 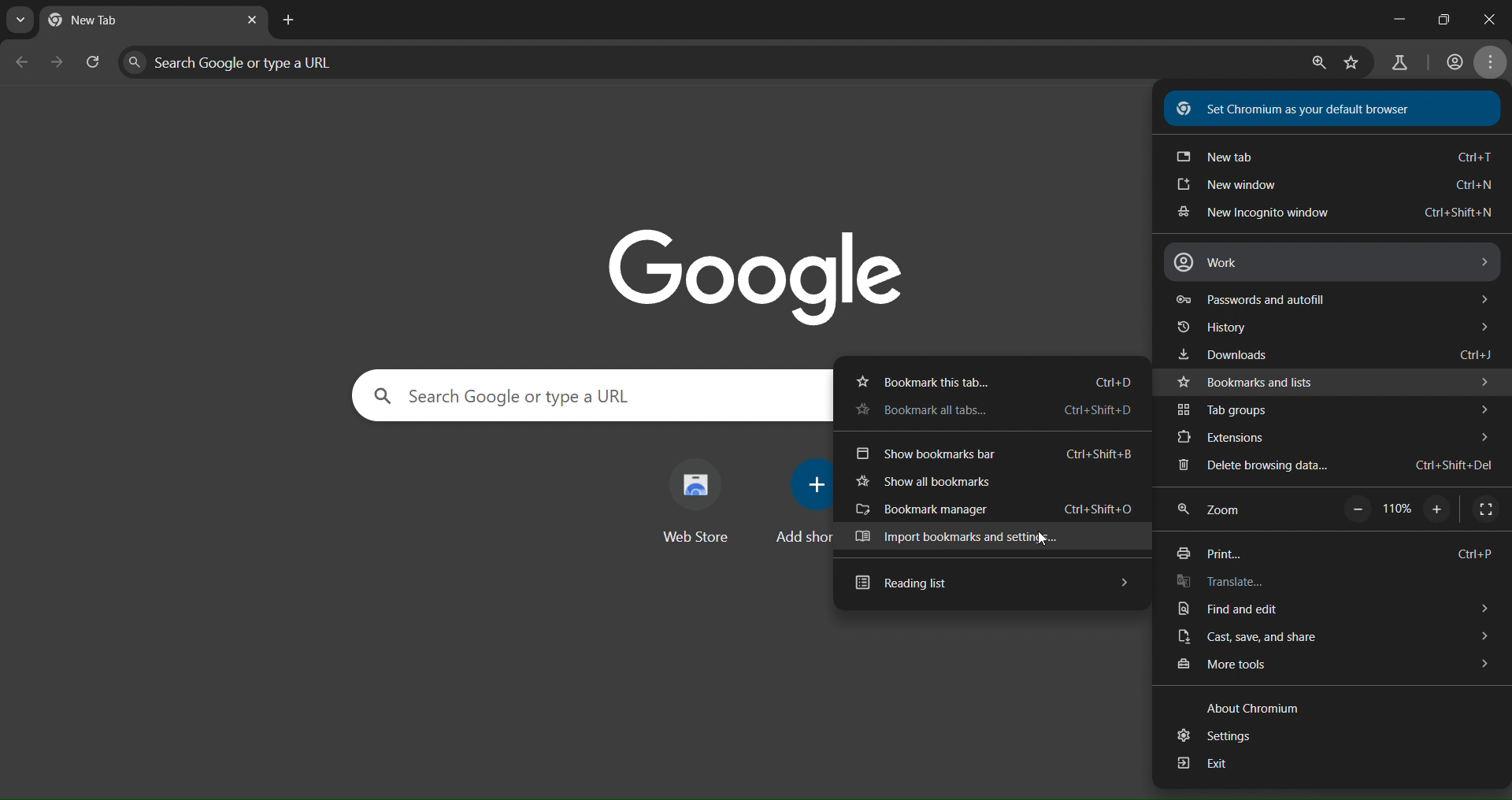 What do you see at coordinates (94, 60) in the screenshot?
I see `reload page` at bounding box center [94, 60].